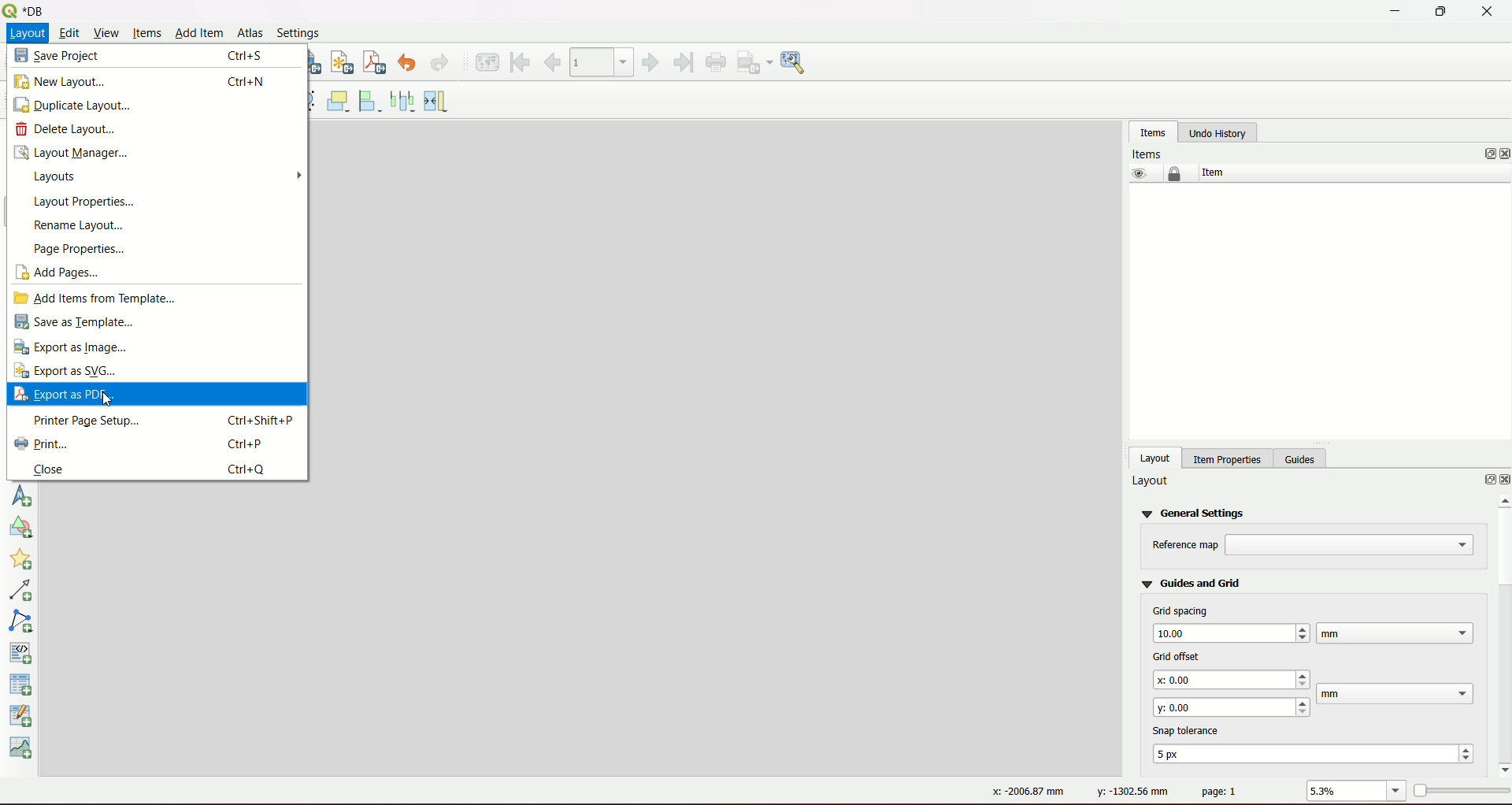  I want to click on print atlas, so click(717, 63).